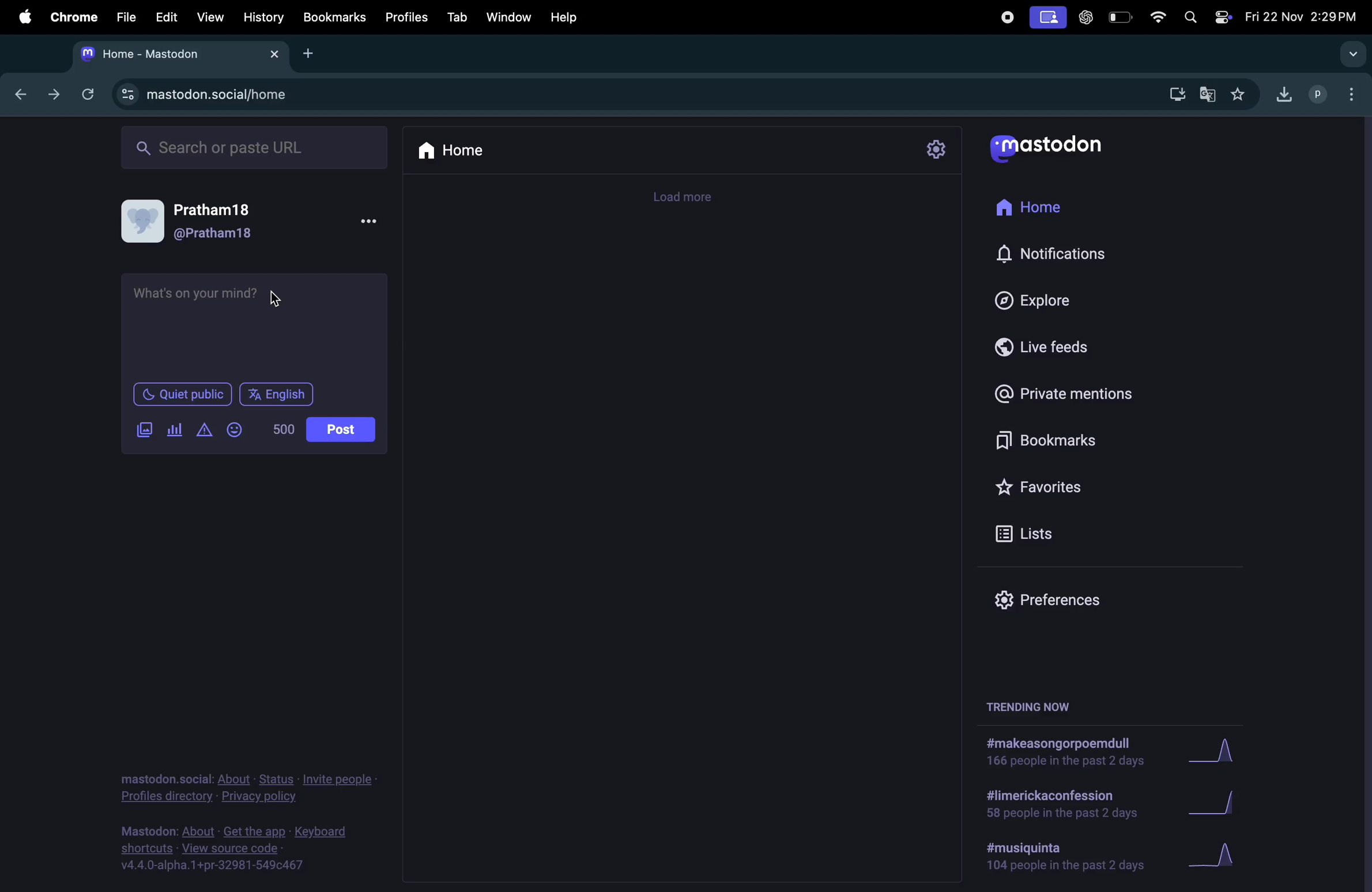 The image size is (1372, 892). What do you see at coordinates (1283, 95) in the screenshot?
I see `downloads` at bounding box center [1283, 95].